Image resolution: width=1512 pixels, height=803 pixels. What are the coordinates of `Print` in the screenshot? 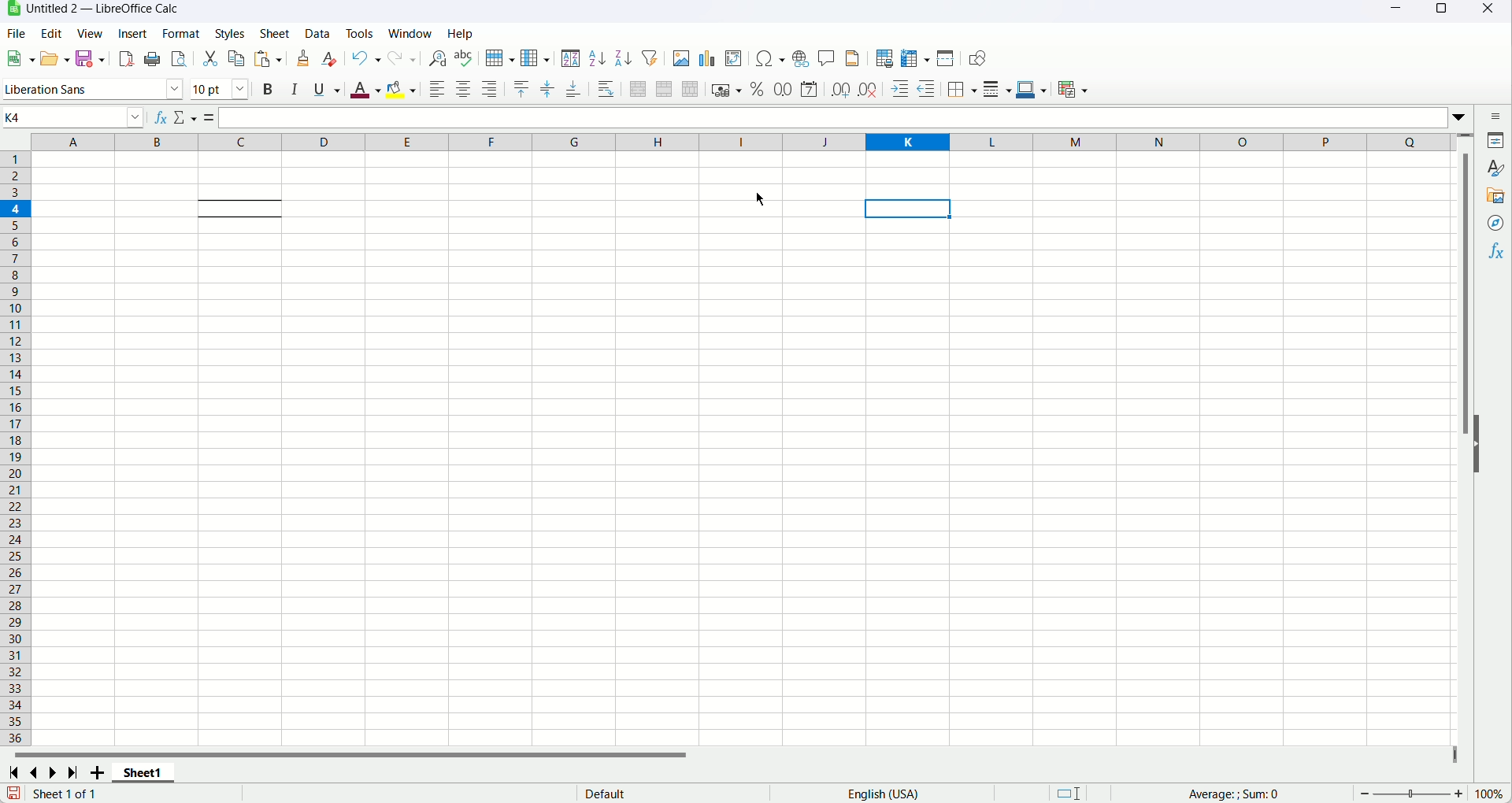 It's located at (155, 59).